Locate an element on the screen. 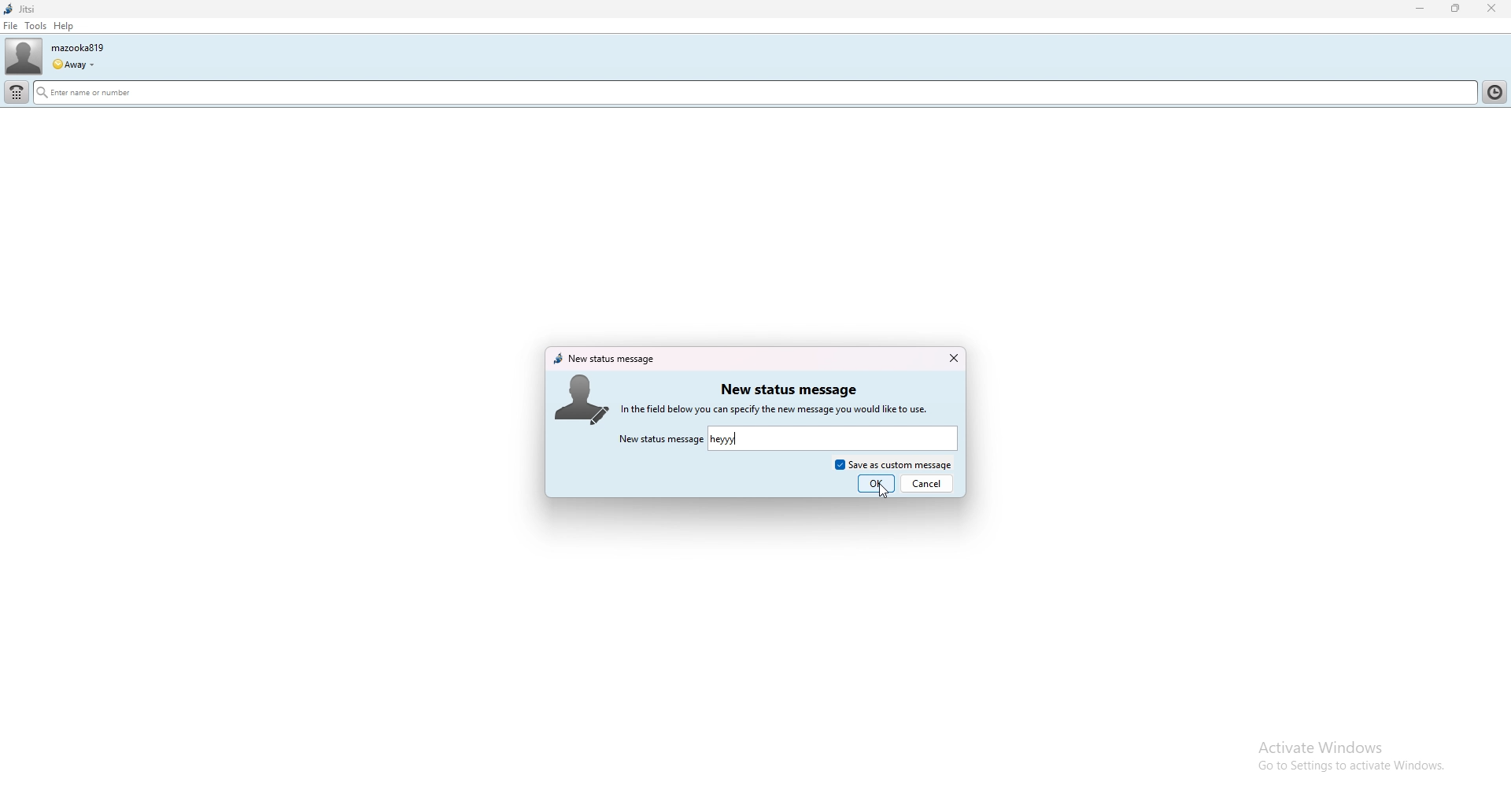 The image size is (1511, 812). ok is located at coordinates (876, 484).